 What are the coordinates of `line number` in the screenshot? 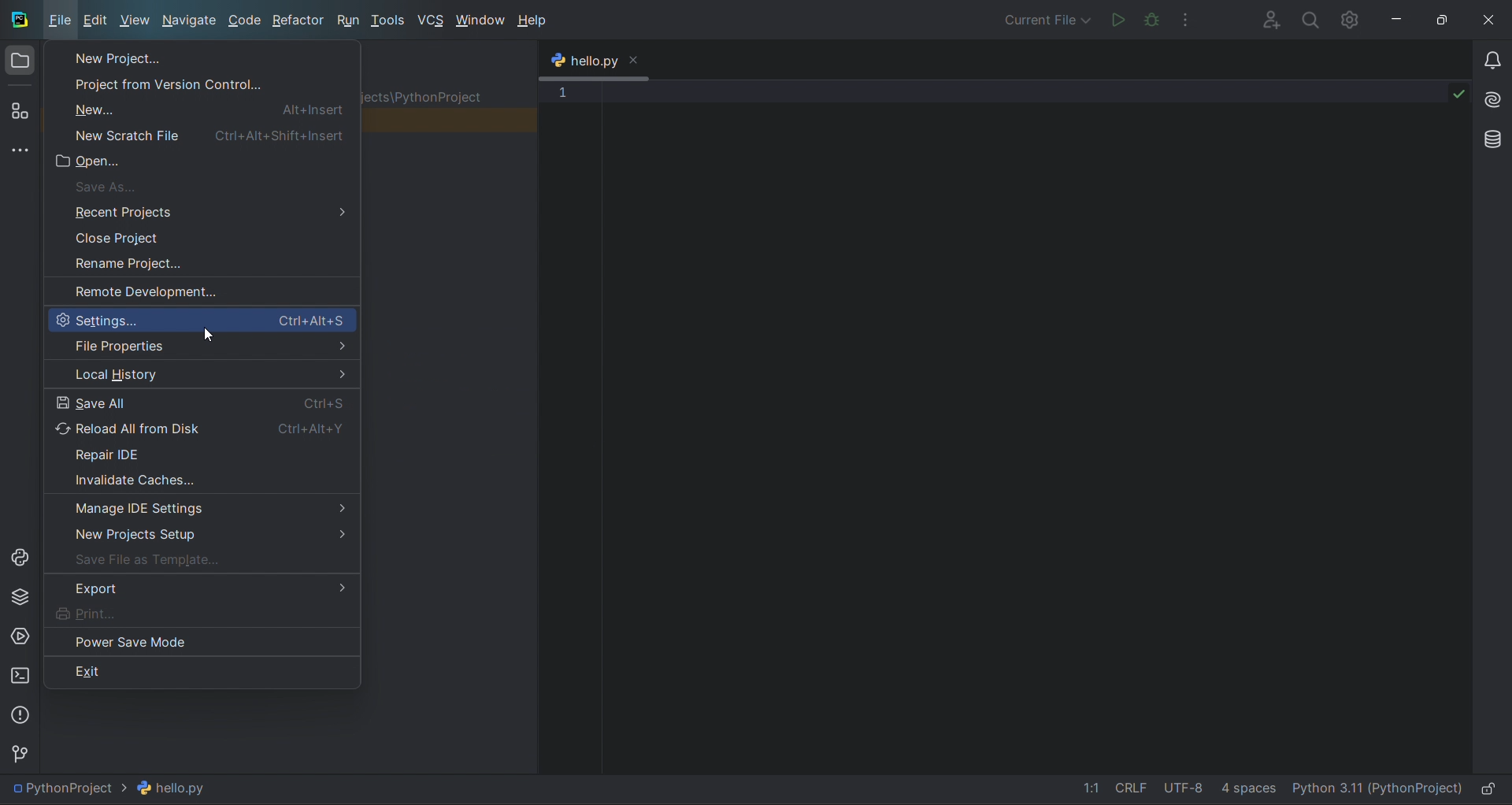 It's located at (562, 109).